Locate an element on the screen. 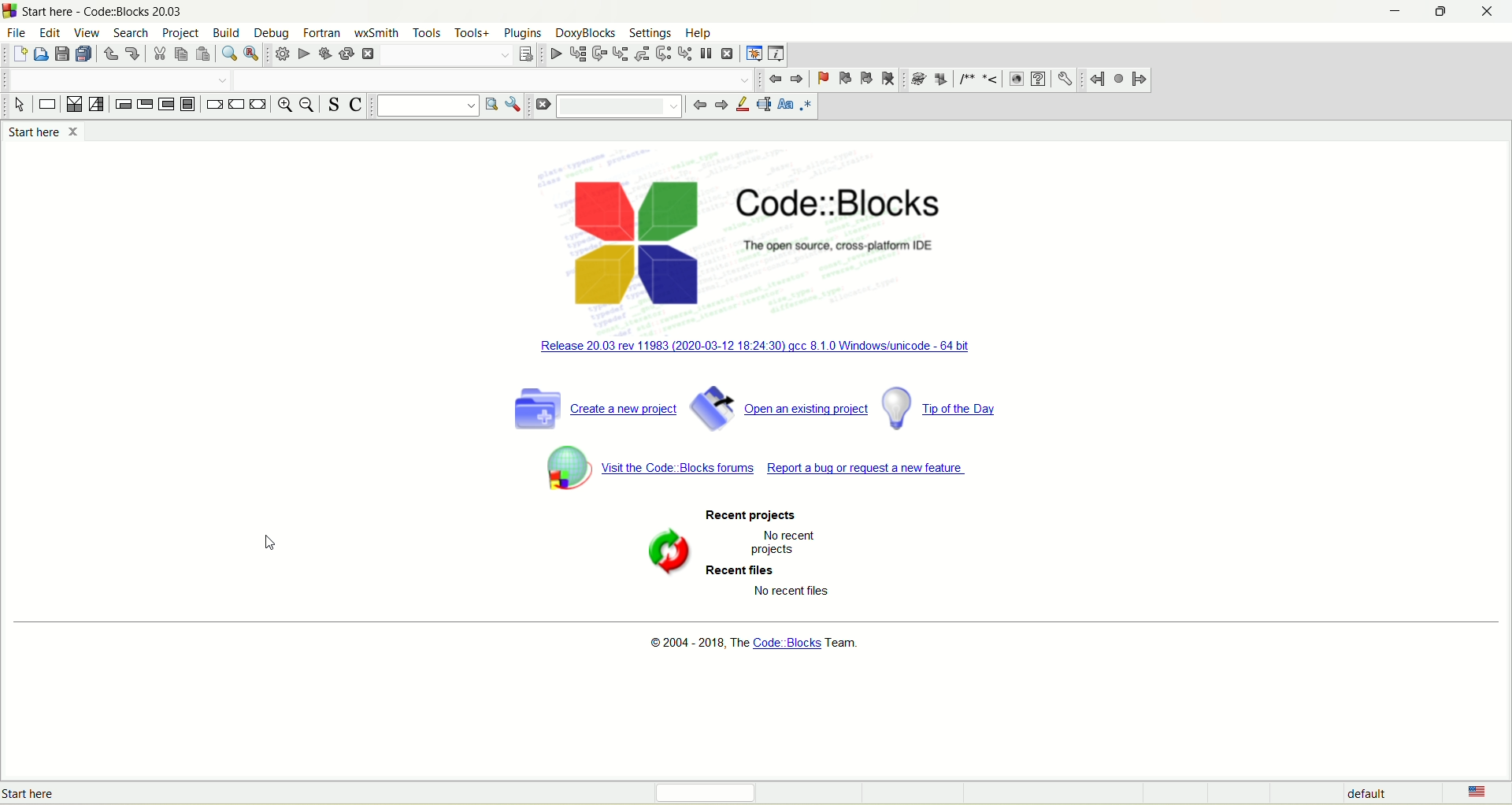 The width and height of the screenshot is (1512, 805). paste is located at coordinates (202, 54).